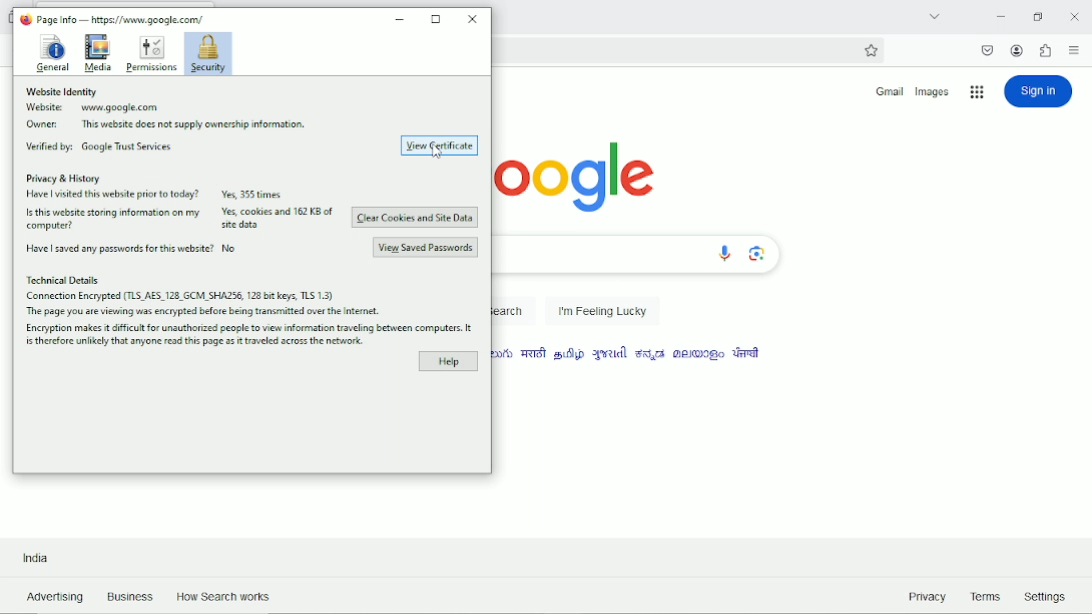 Image resolution: width=1092 pixels, height=614 pixels. I want to click on I'm feeling lucky, so click(603, 311).